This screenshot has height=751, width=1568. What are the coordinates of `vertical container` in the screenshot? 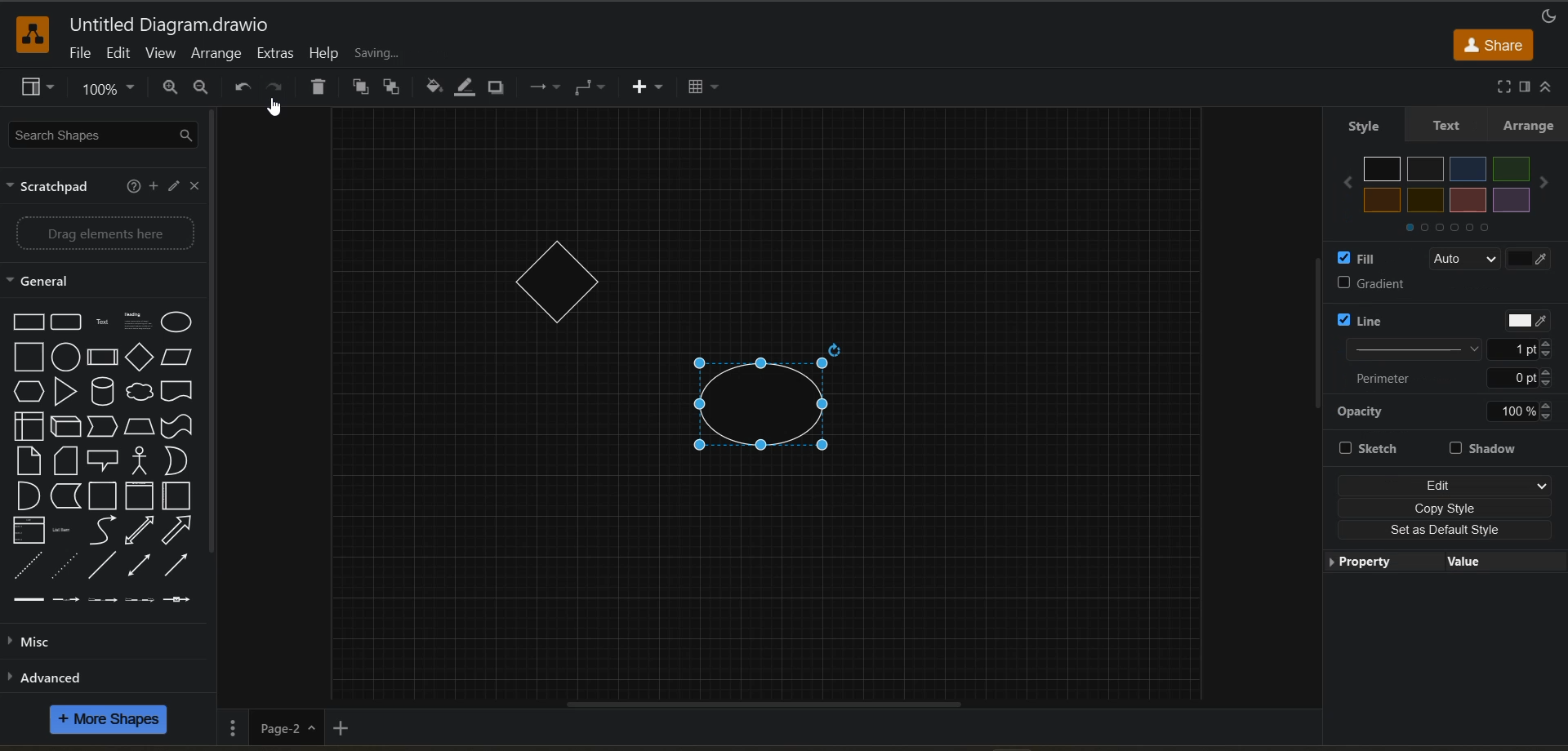 It's located at (136, 497).